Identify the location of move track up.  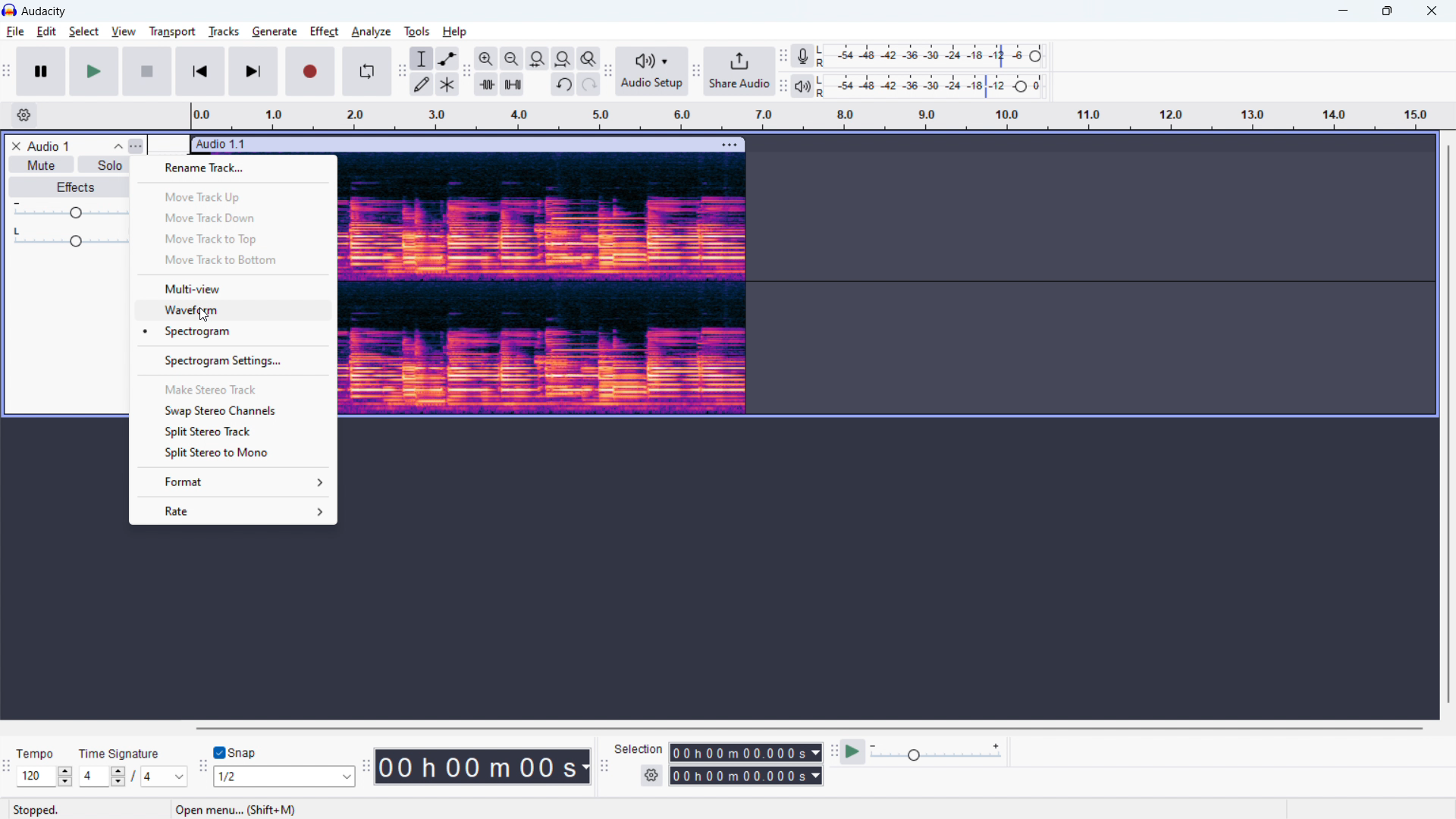
(234, 196).